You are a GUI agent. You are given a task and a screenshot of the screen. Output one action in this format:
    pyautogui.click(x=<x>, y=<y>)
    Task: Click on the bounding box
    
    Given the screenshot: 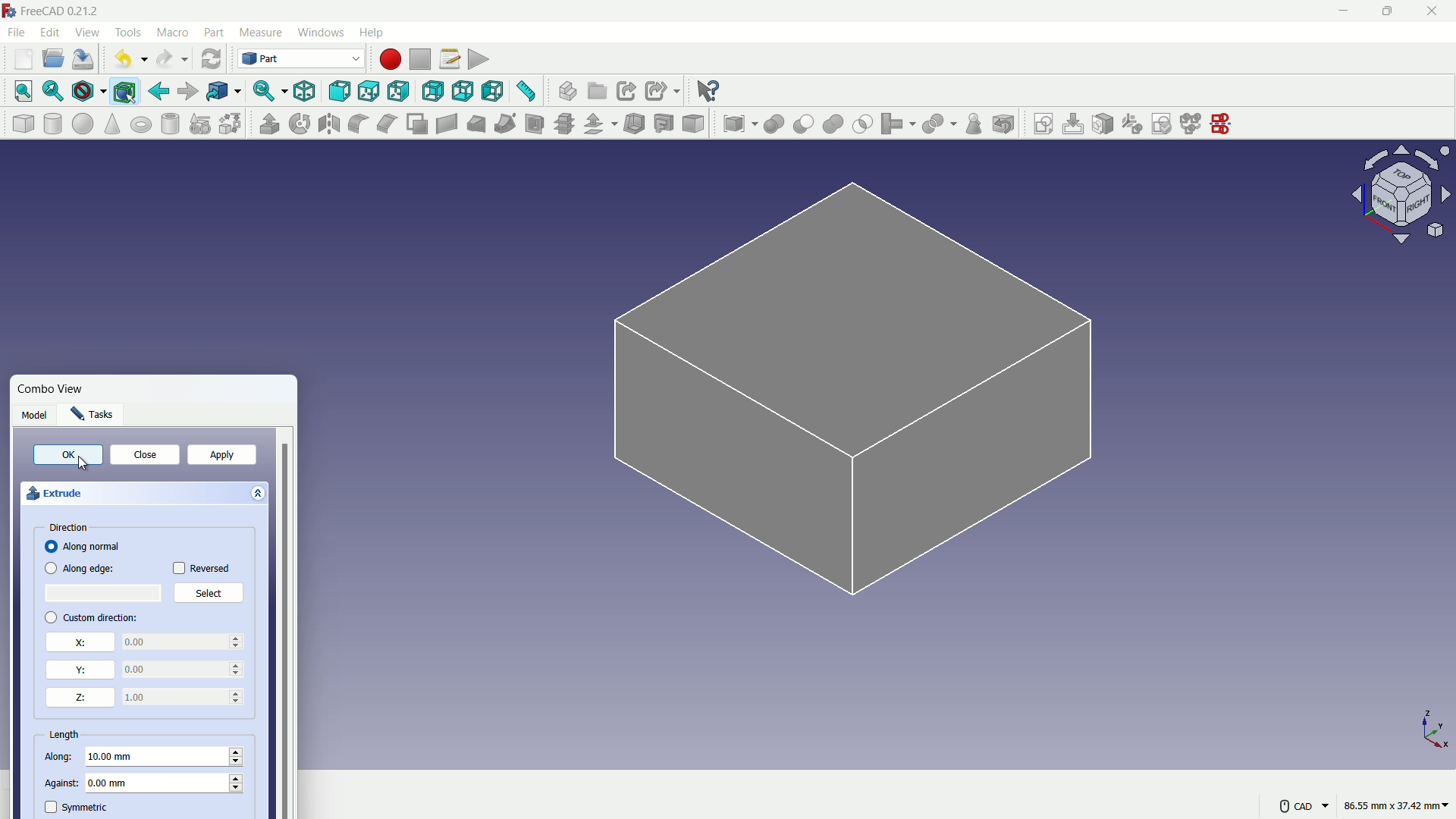 What is the action you would take?
    pyautogui.click(x=124, y=93)
    